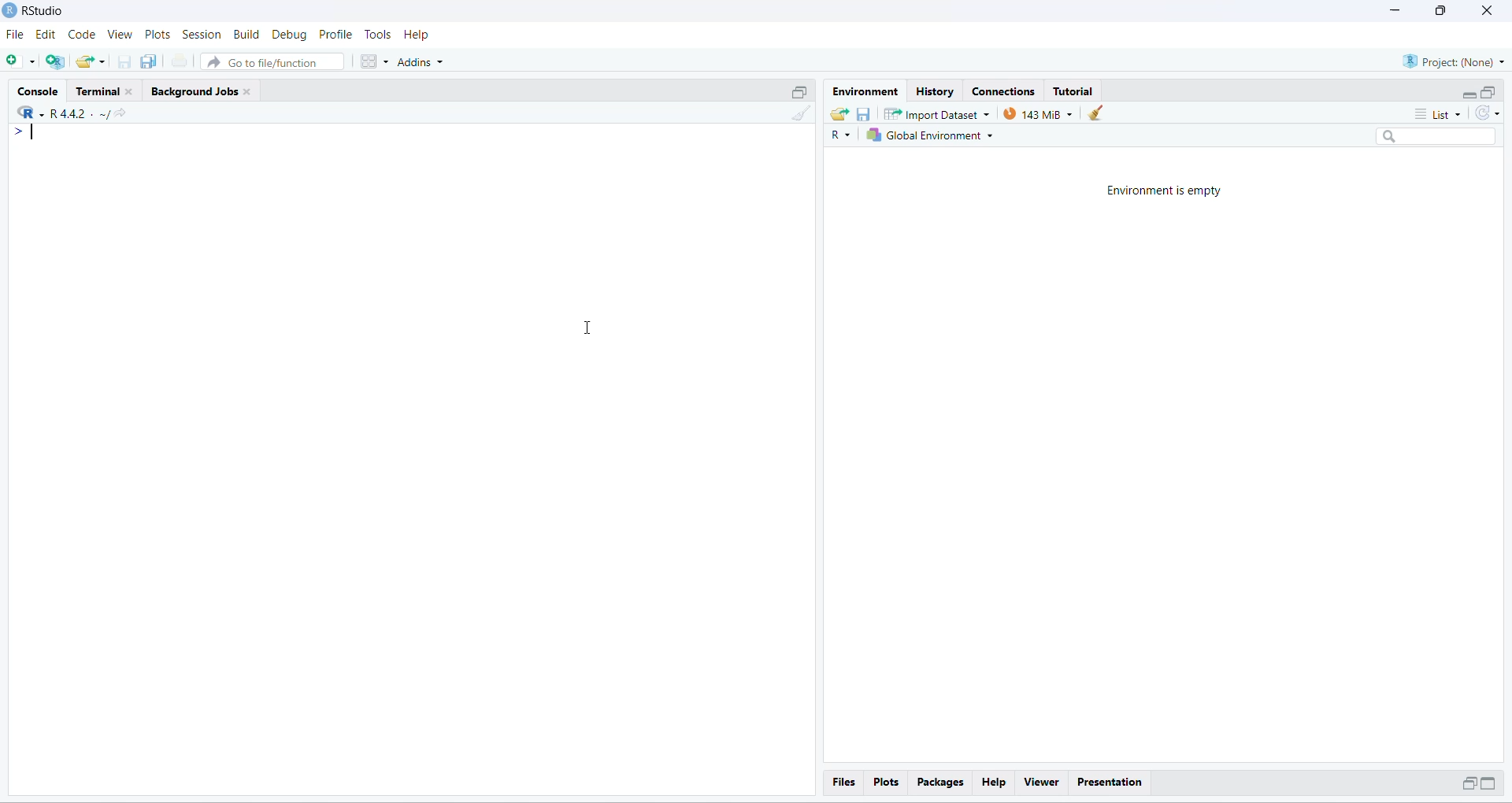  What do you see at coordinates (92, 62) in the screenshot?
I see `share folder as` at bounding box center [92, 62].